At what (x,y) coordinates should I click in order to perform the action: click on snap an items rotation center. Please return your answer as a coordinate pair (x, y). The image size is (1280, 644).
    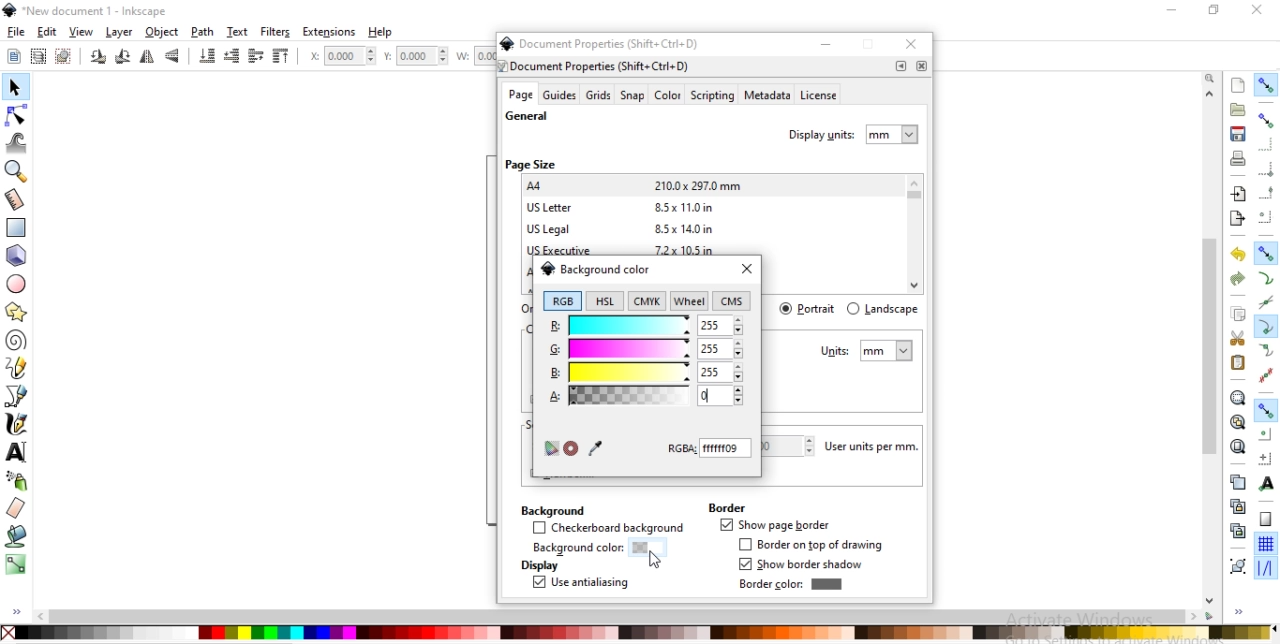
    Looking at the image, I should click on (1266, 458).